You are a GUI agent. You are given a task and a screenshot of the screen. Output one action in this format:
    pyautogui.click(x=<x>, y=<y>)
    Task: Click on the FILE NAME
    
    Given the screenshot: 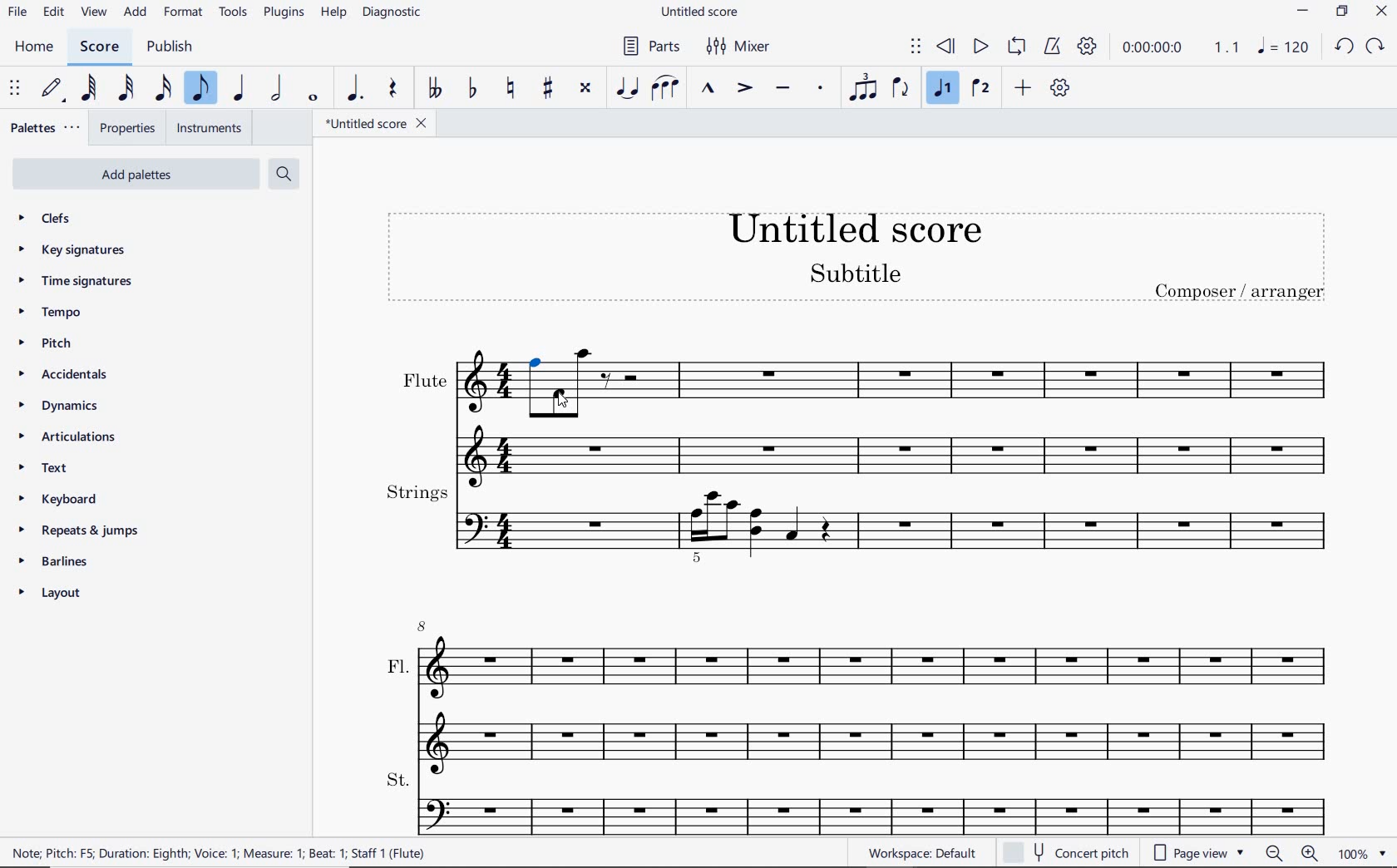 What is the action you would take?
    pyautogui.click(x=380, y=123)
    